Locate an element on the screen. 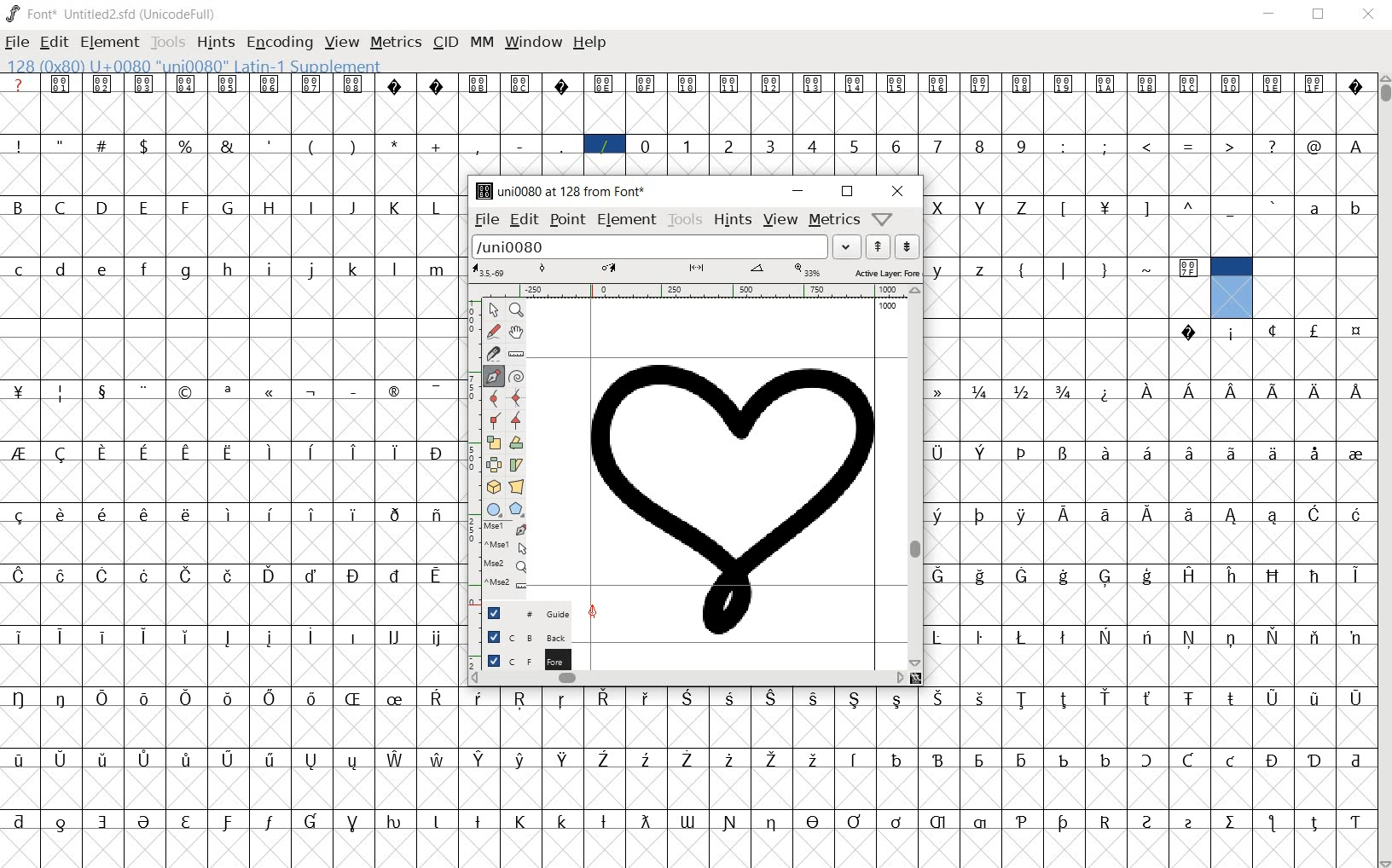 This screenshot has height=868, width=1392. glyph is located at coordinates (1188, 333).